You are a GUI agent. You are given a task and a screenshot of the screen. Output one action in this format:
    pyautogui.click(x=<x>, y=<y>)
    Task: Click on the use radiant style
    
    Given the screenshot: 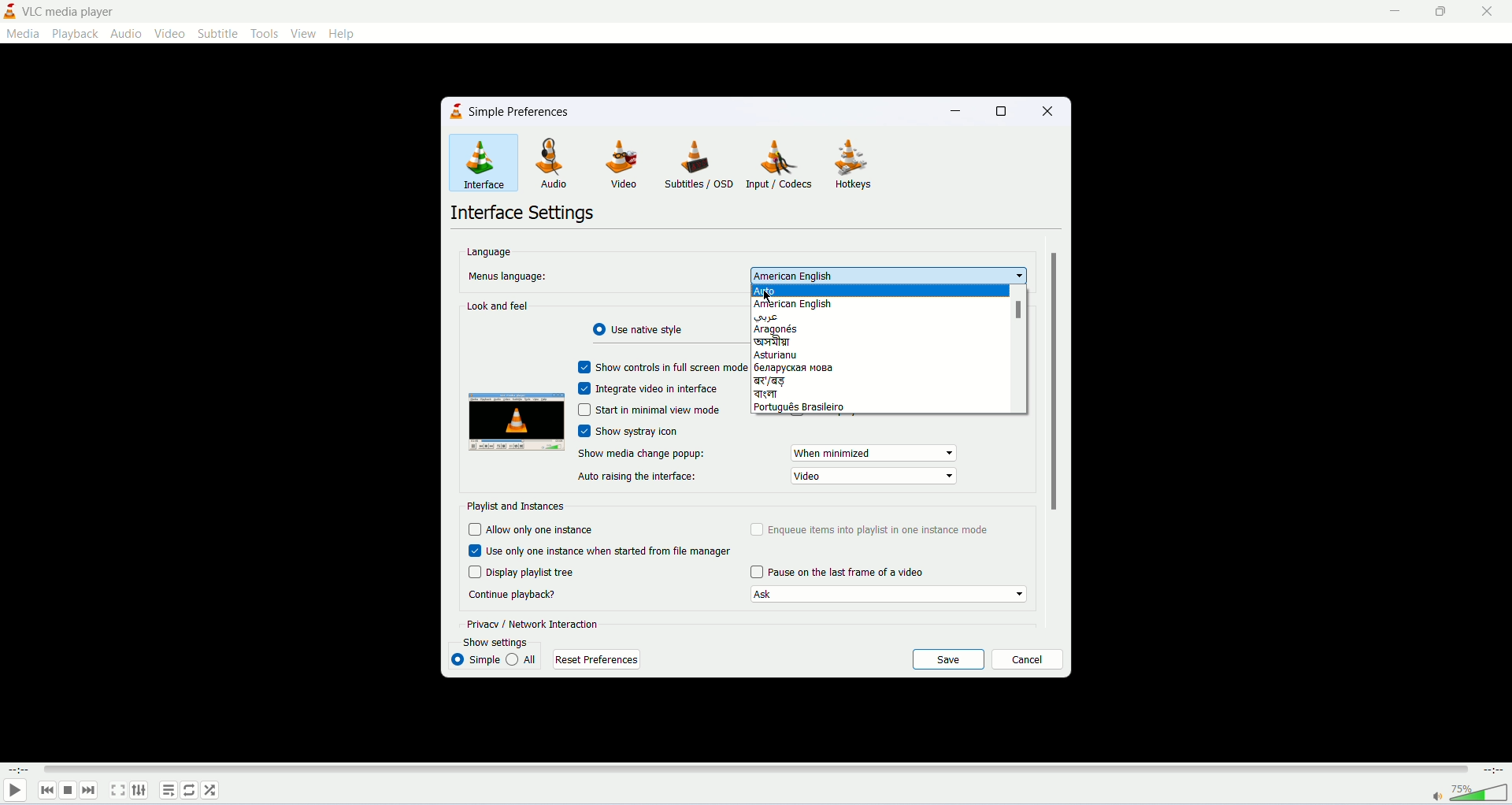 What is the action you would take?
    pyautogui.click(x=642, y=329)
    